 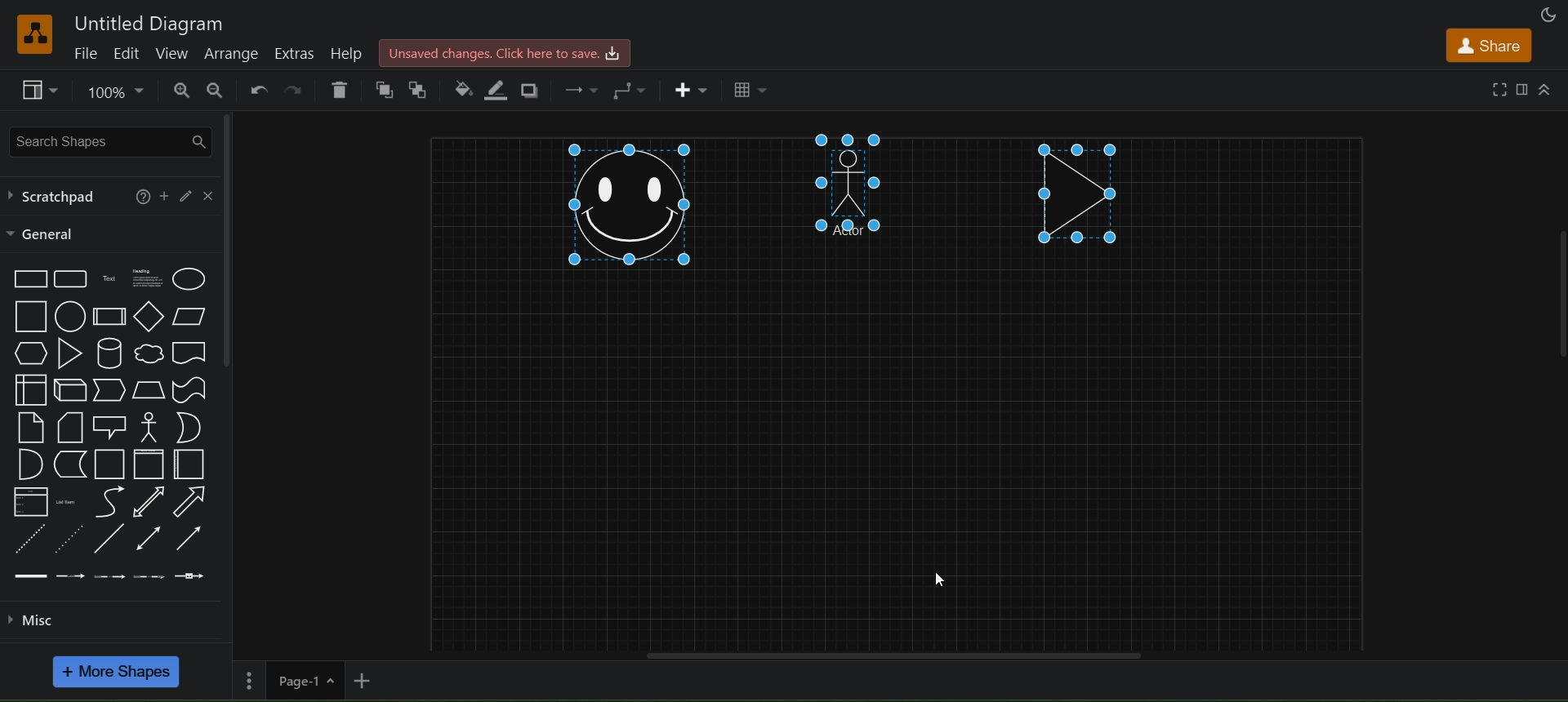 What do you see at coordinates (216, 92) in the screenshot?
I see `zoom out` at bounding box center [216, 92].